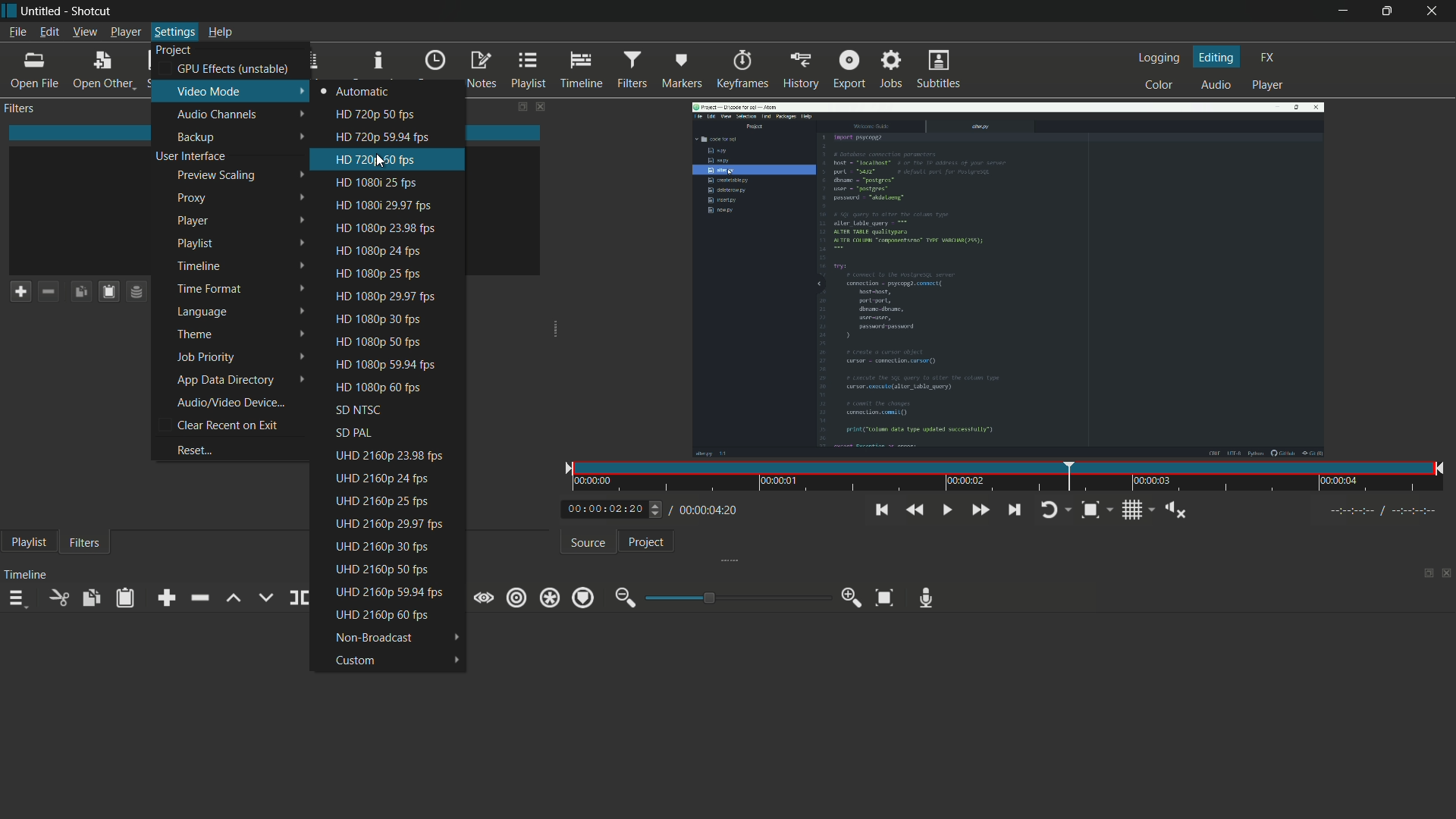 The image size is (1456, 819). I want to click on close timeline, so click(1447, 575).